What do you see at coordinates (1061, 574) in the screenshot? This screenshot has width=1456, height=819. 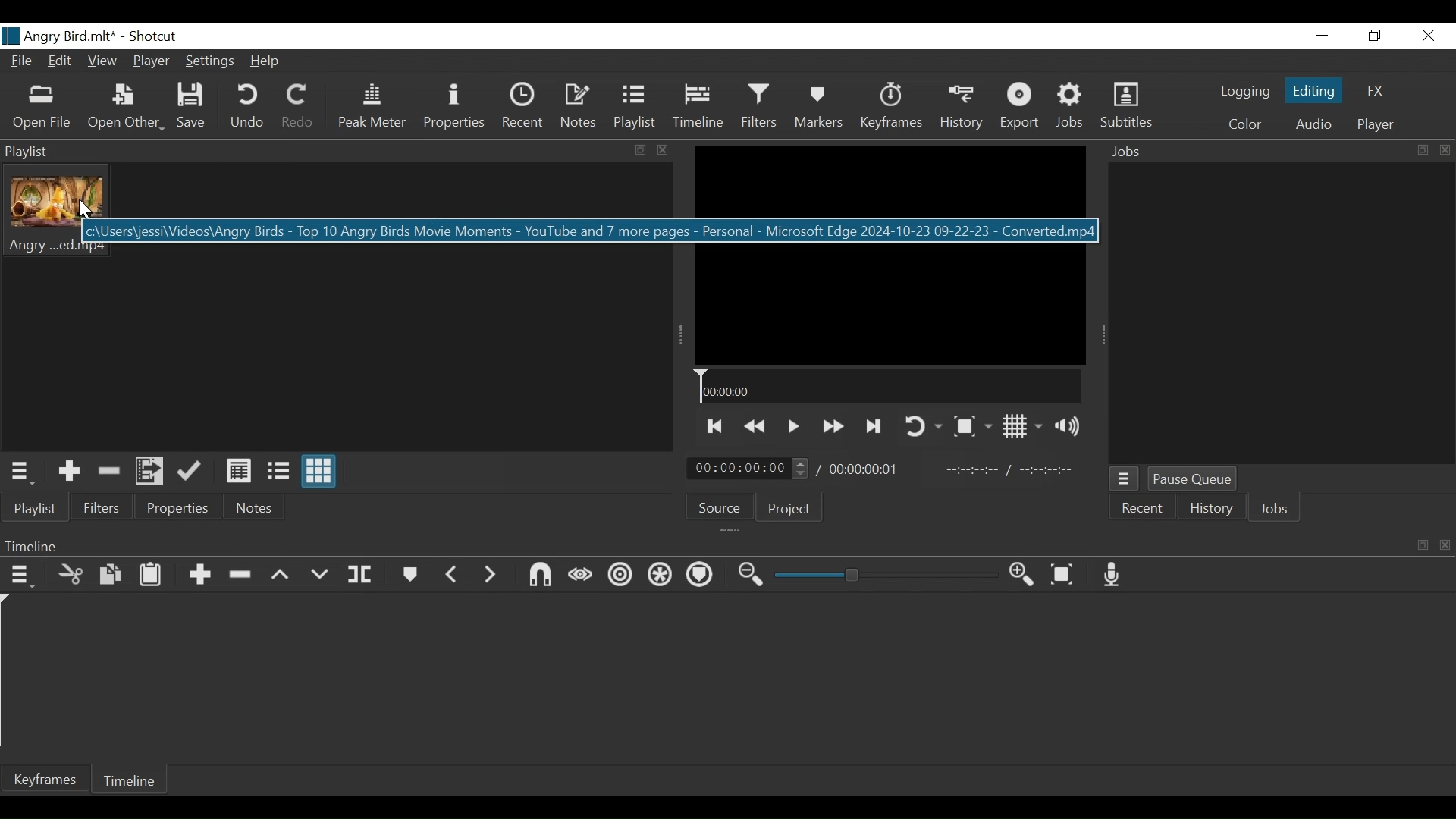 I see `Zoom timeline fit` at bounding box center [1061, 574].